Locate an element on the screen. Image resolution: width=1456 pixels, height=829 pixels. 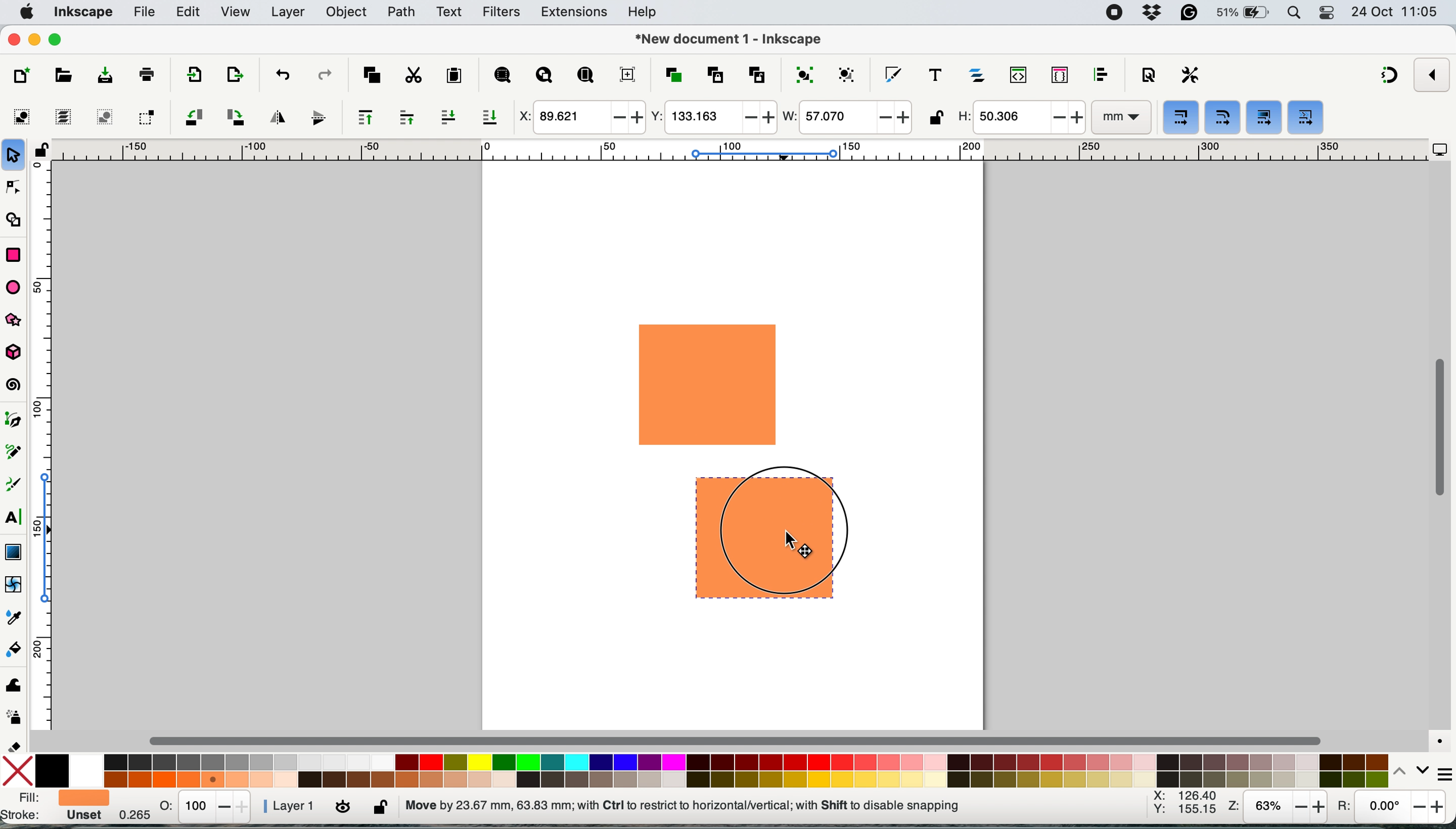
ungroup is located at coordinates (848, 73).